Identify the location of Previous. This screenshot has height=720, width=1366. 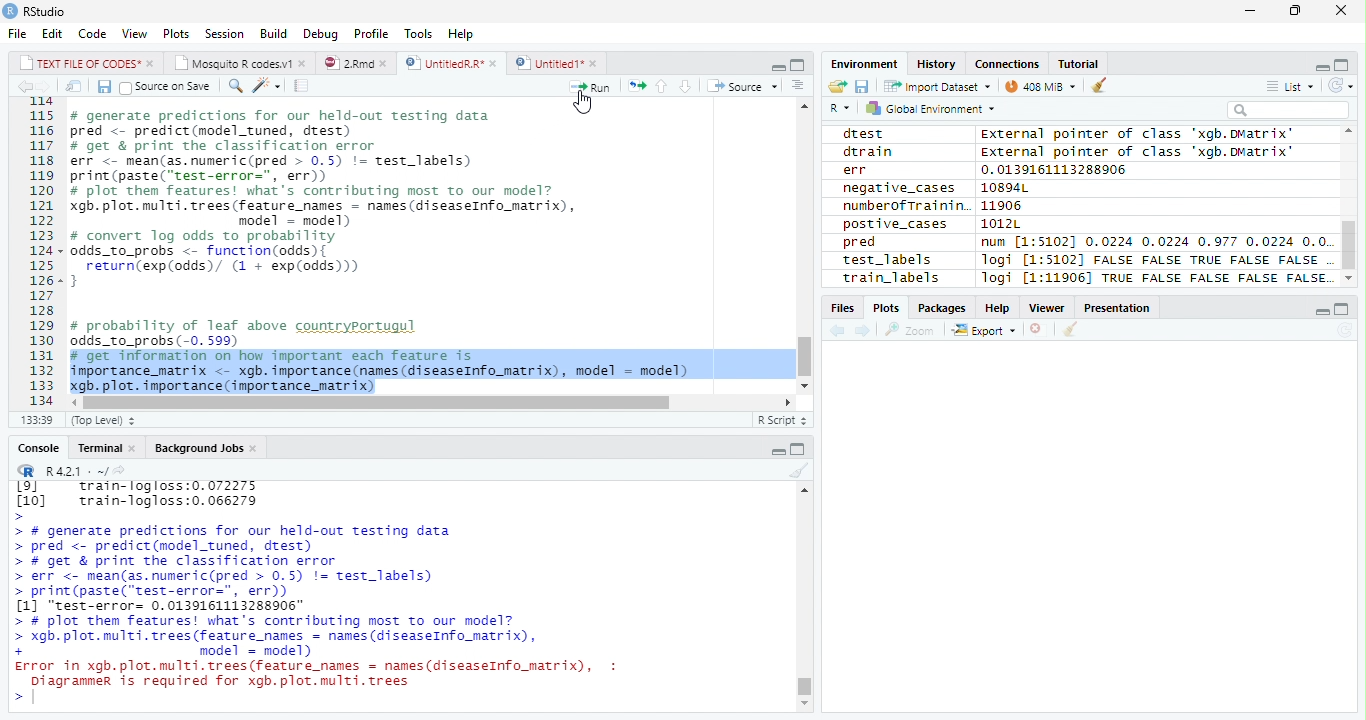
(23, 87).